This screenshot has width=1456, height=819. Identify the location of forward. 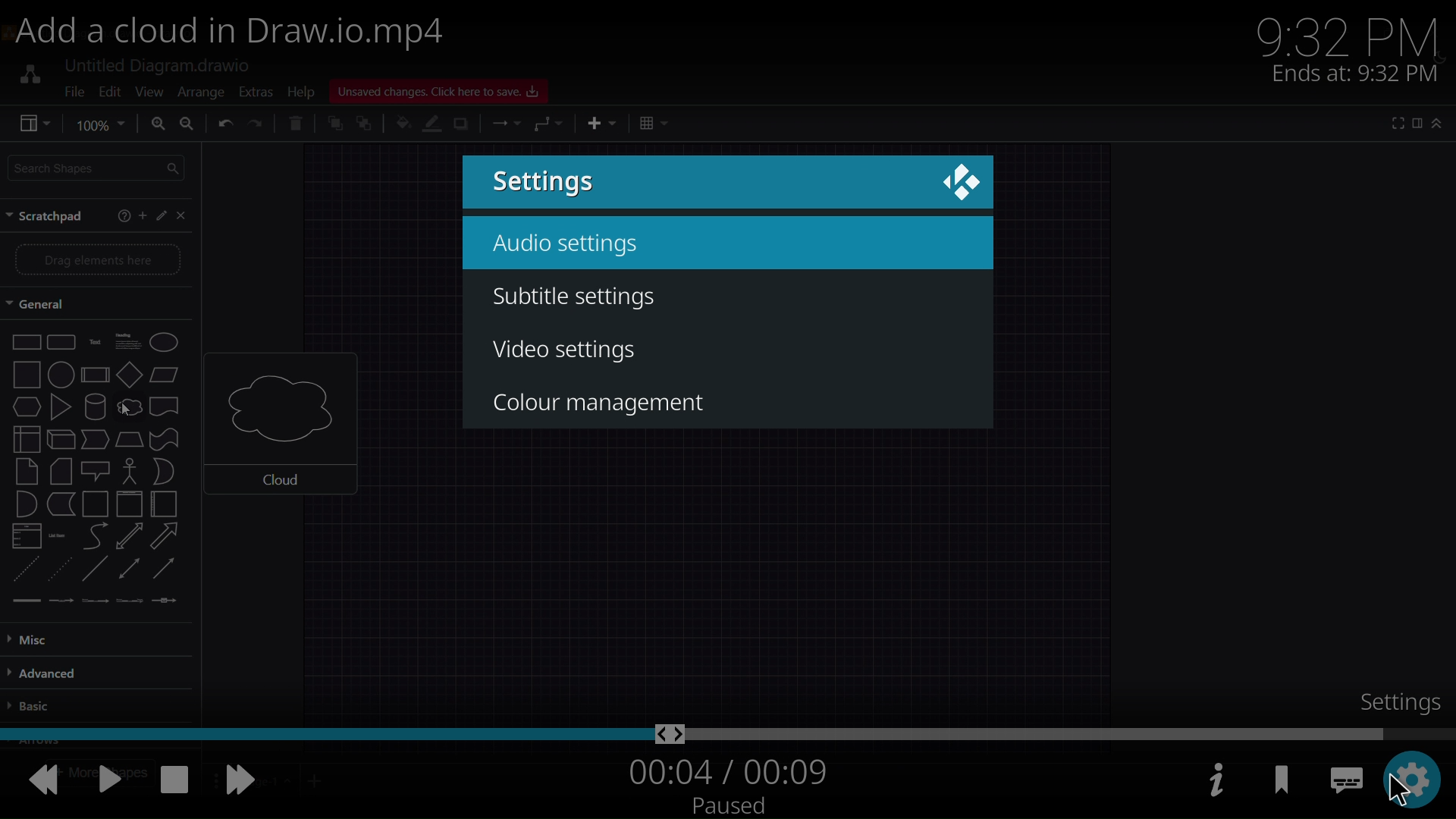
(244, 784).